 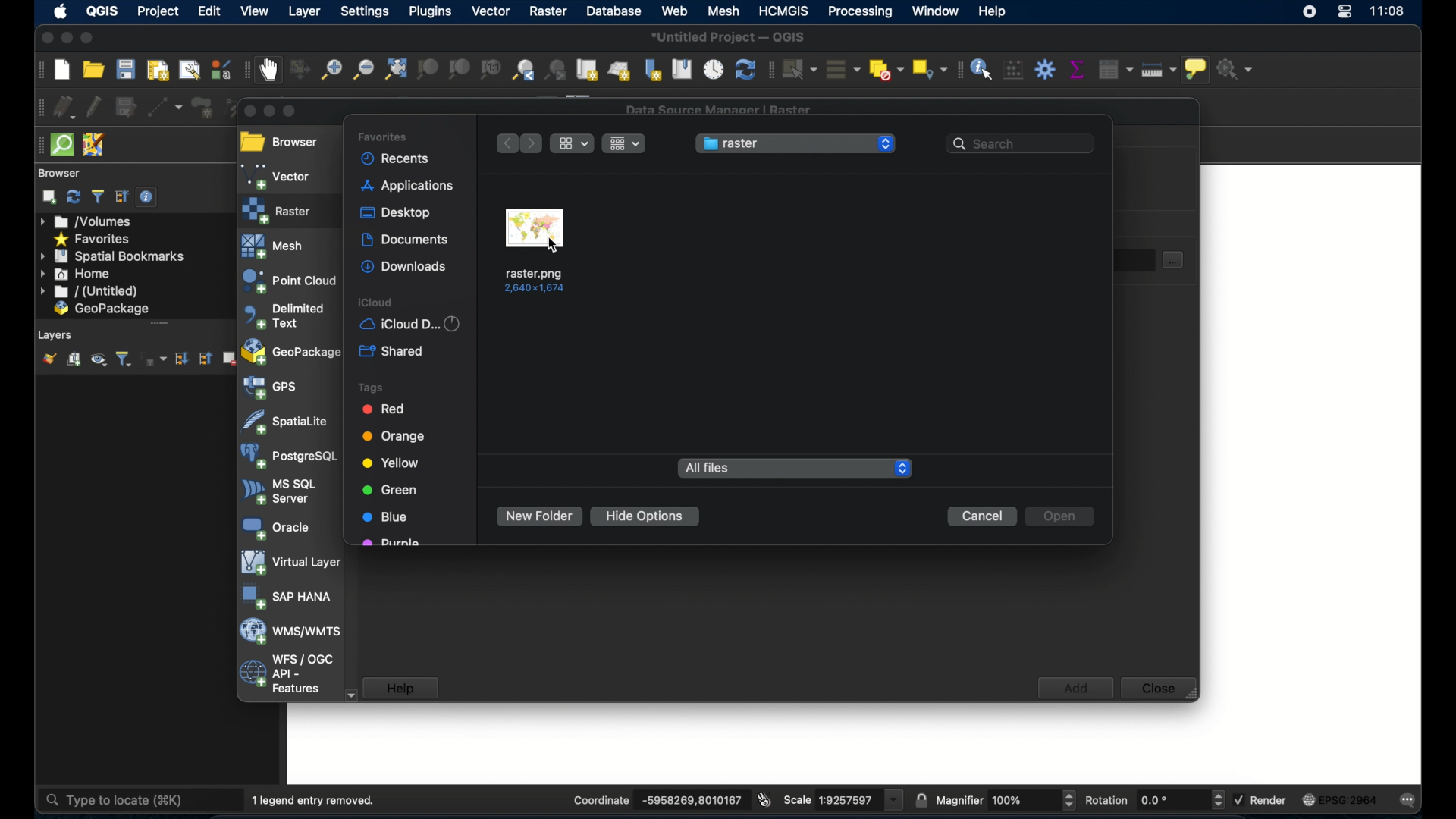 I want to click on yellow, so click(x=391, y=461).